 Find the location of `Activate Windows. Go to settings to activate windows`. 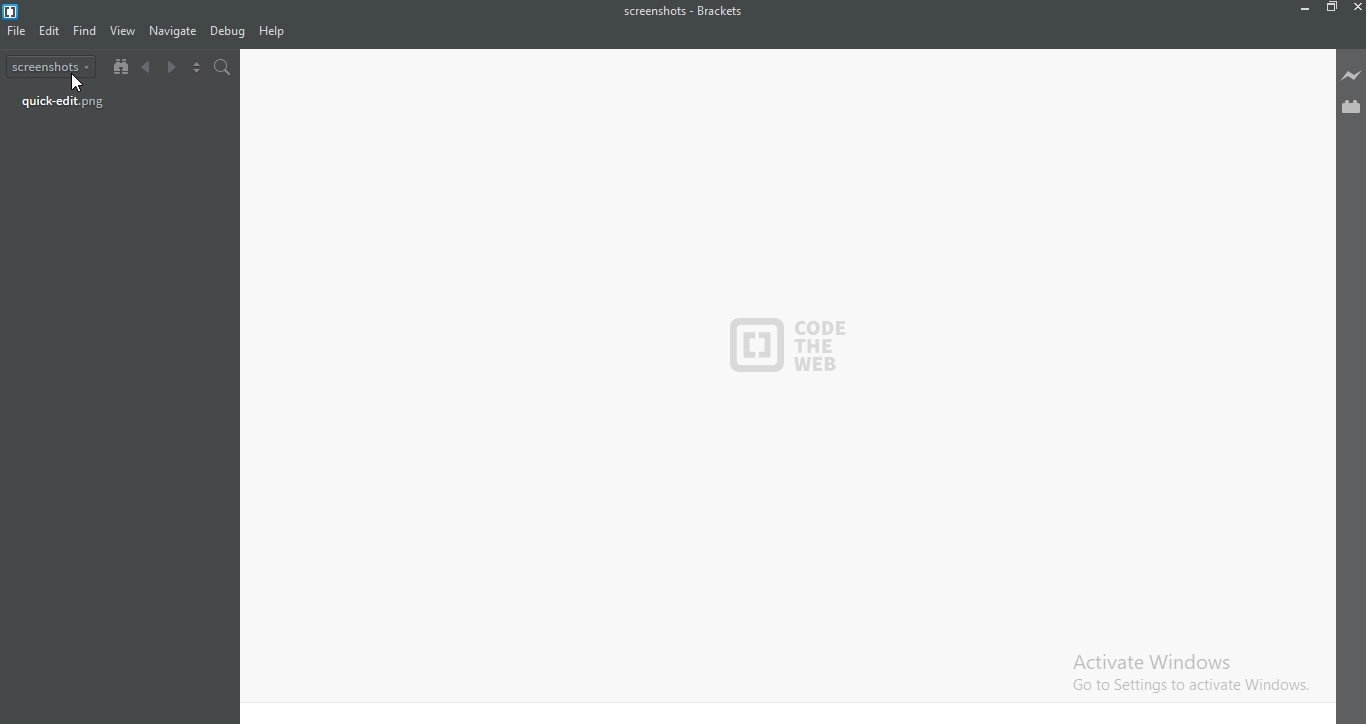

Activate Windows. Go to settings to activate windows is located at coordinates (1179, 669).